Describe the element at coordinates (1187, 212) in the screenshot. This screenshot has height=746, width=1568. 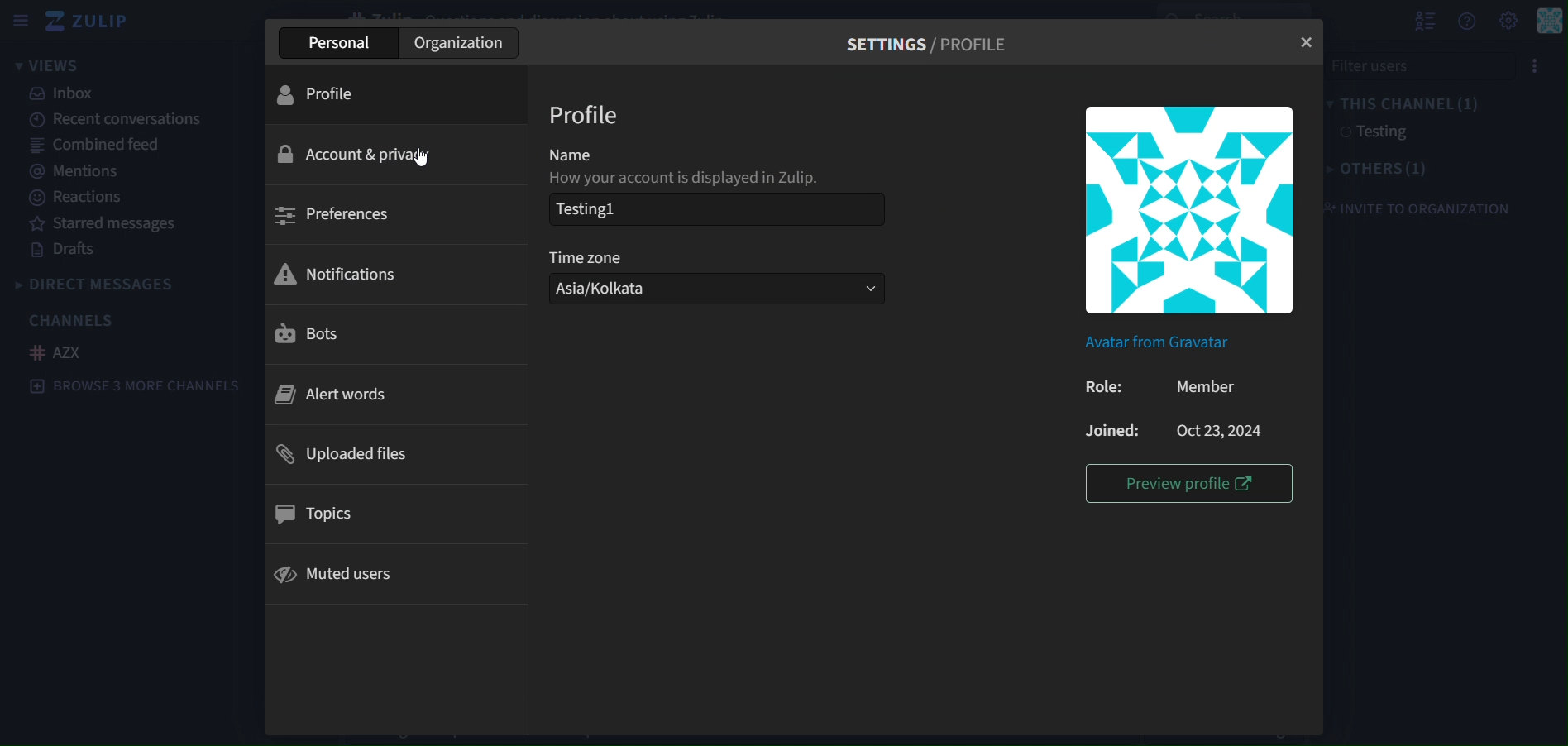
I see `image` at that location.